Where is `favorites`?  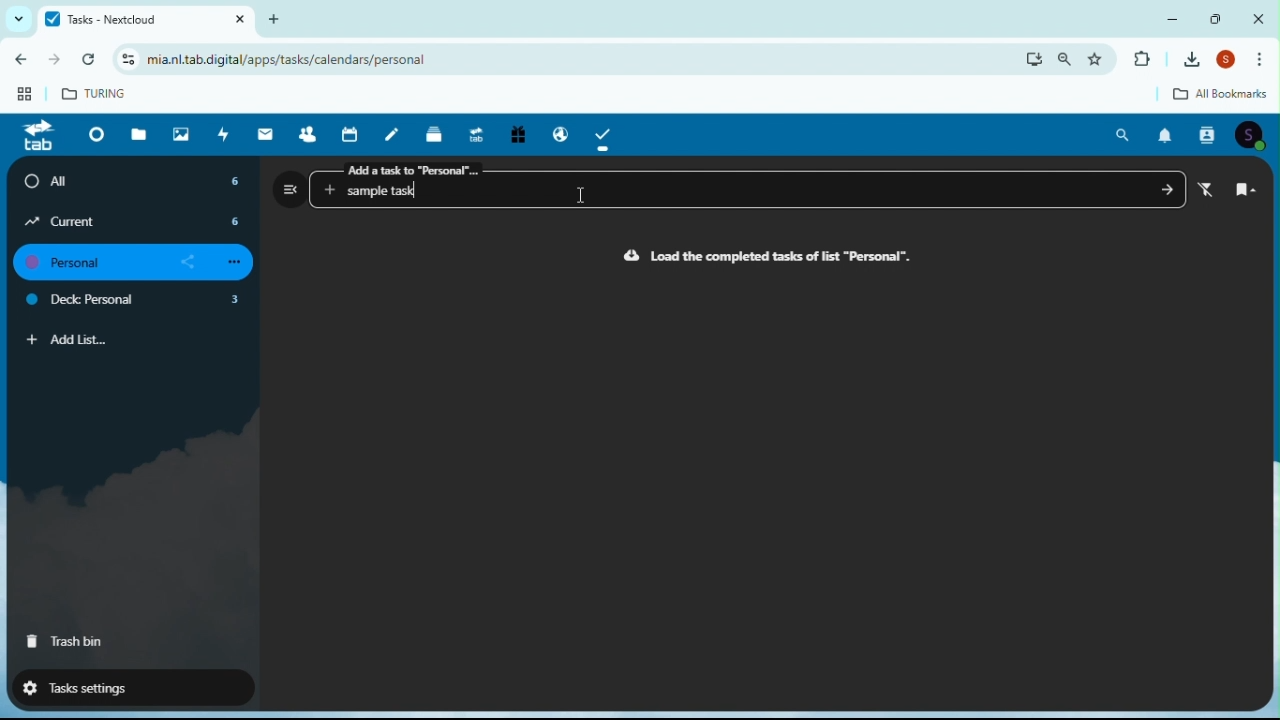
favorites is located at coordinates (1101, 58).